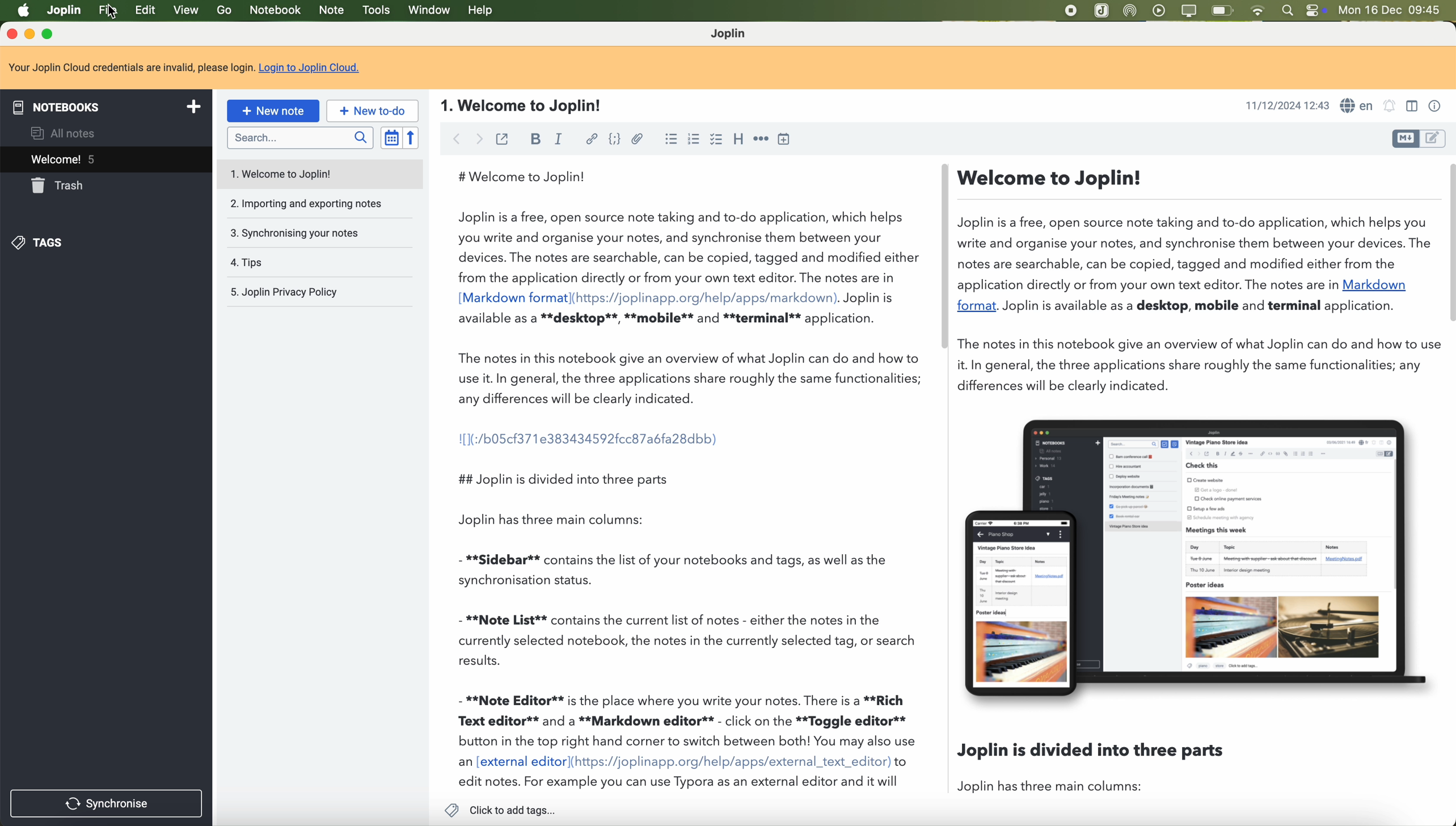 This screenshot has width=1456, height=826. What do you see at coordinates (689, 640) in the screenshot?
I see `- **Note List** contains the current list of notes - either the notes in the
currently selected notebook, the notes in the currently selected tag, or search
results.` at bounding box center [689, 640].